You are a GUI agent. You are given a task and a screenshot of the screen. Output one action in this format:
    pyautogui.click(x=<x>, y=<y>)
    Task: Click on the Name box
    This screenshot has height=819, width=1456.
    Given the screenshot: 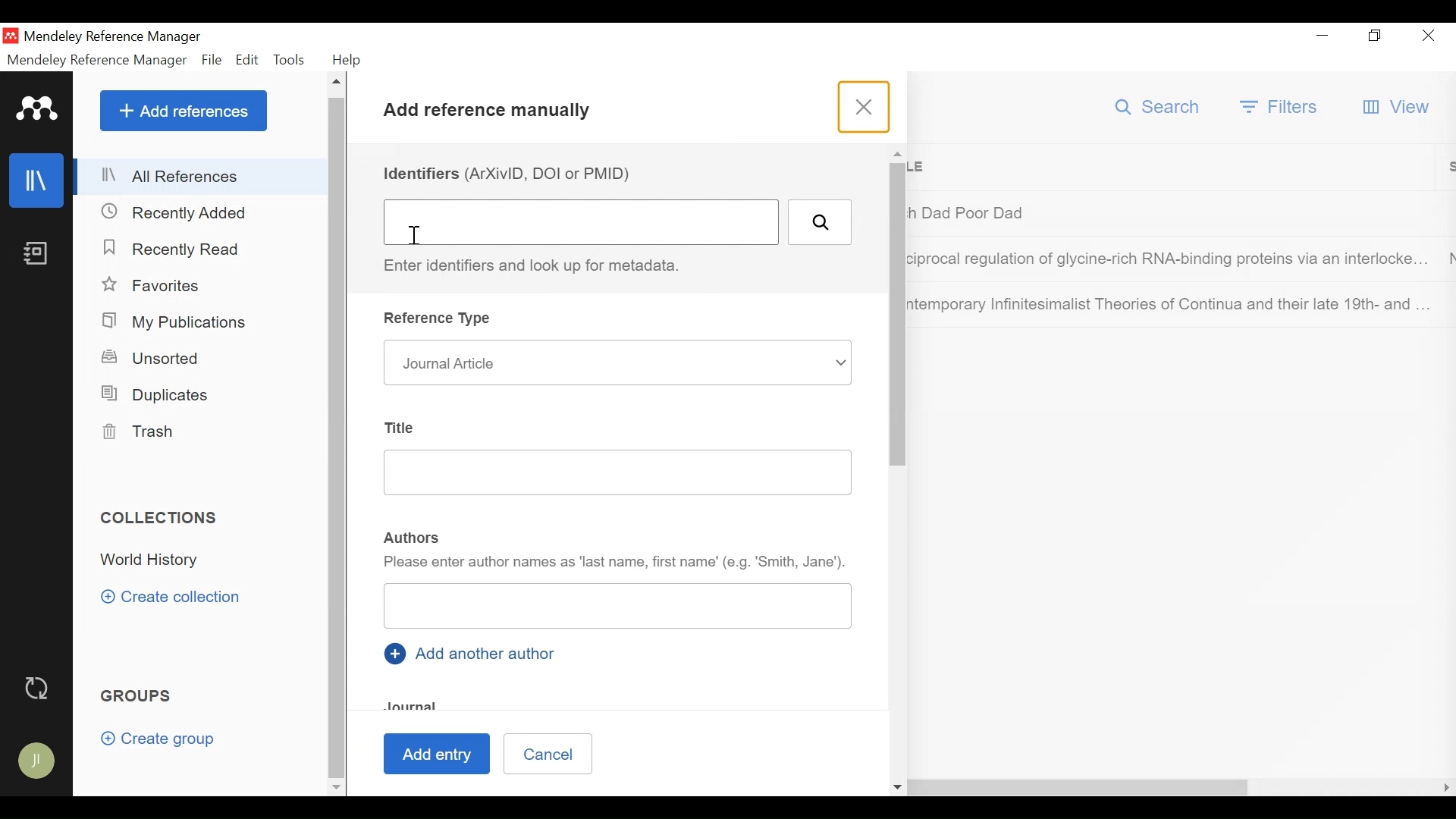 What is the action you would take?
    pyautogui.click(x=618, y=608)
    